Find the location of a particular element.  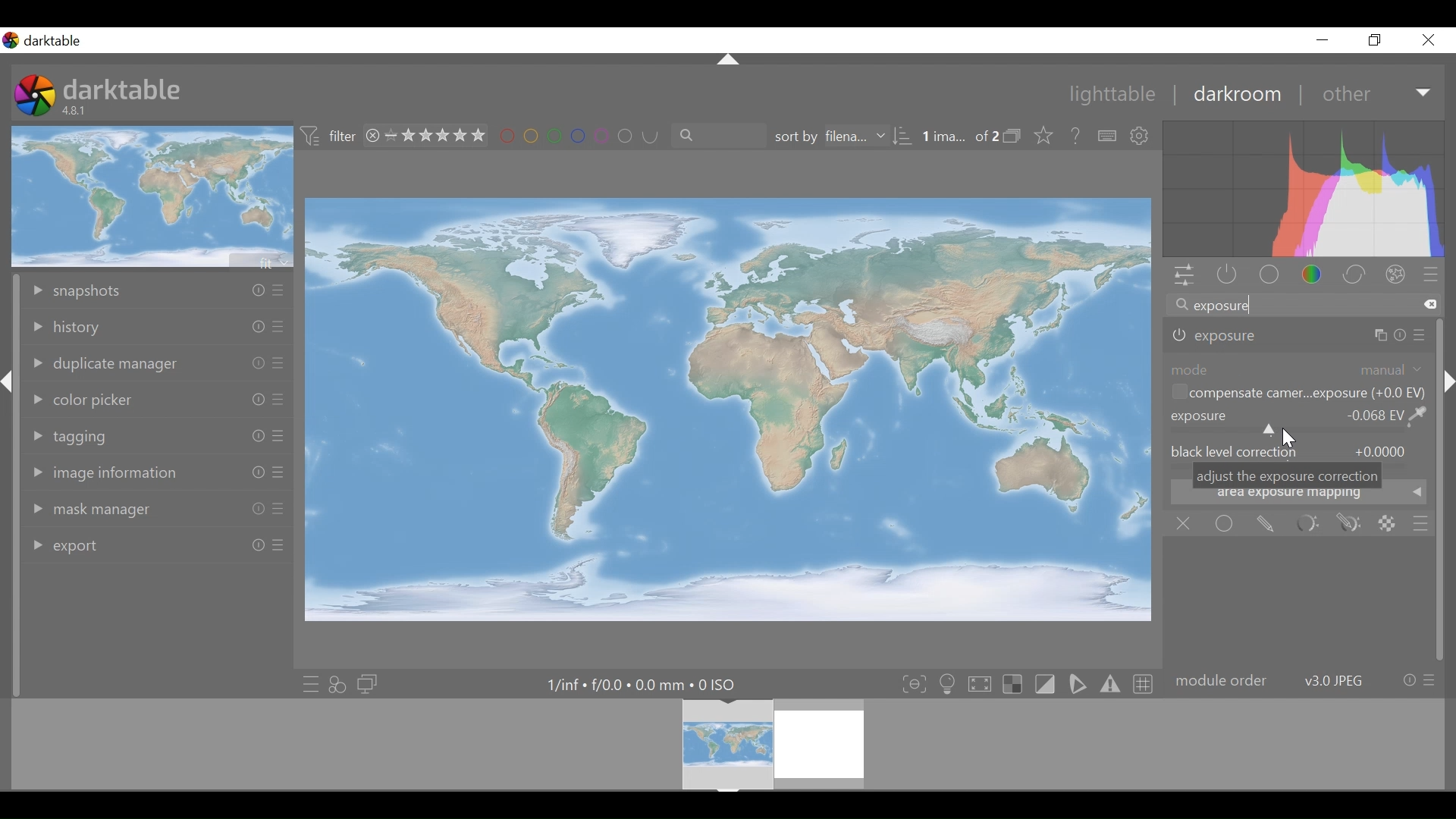

off  is located at coordinates (1185, 523).